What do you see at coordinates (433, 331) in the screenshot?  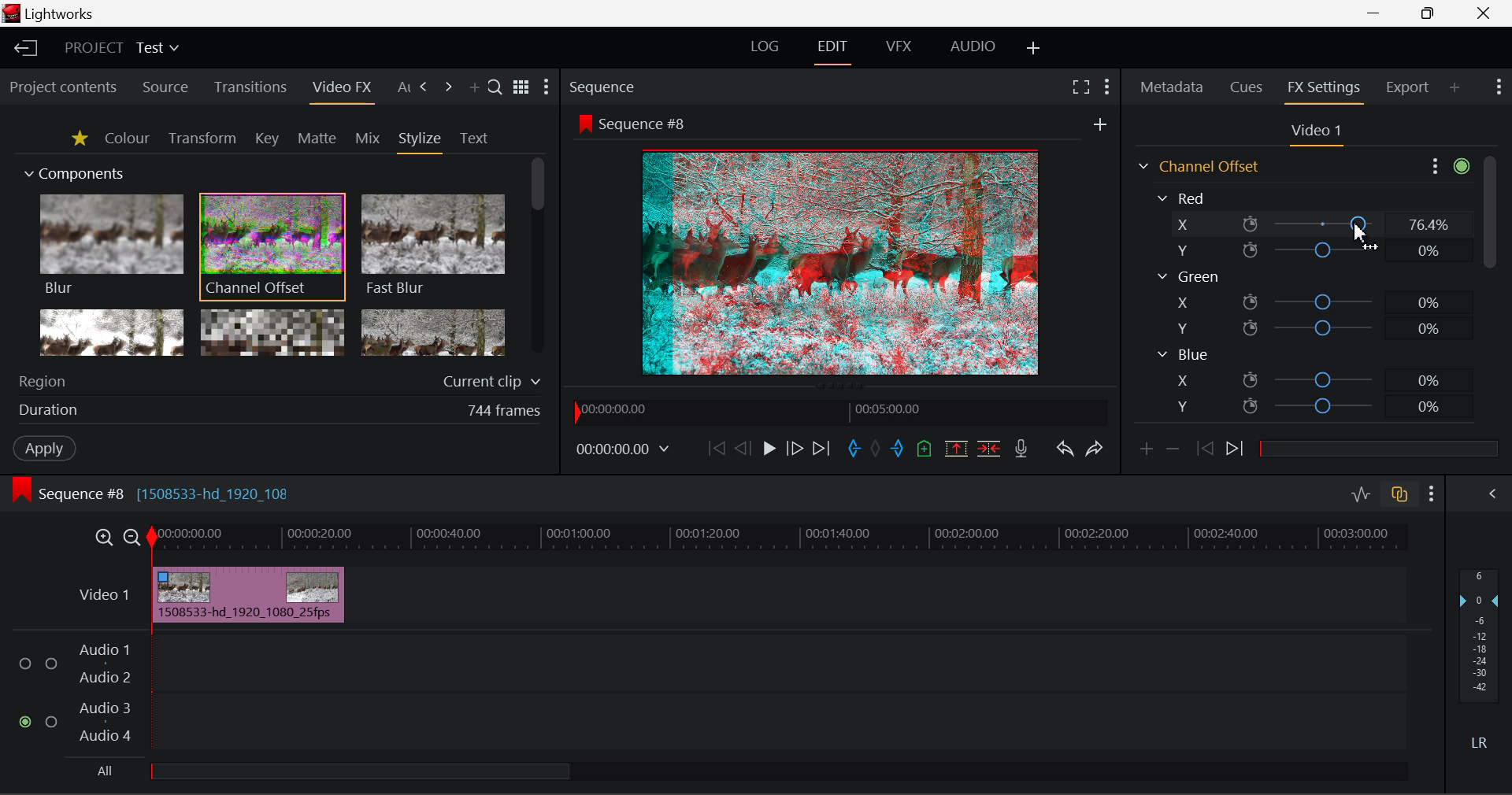 I see `Posterize` at bounding box center [433, 331].